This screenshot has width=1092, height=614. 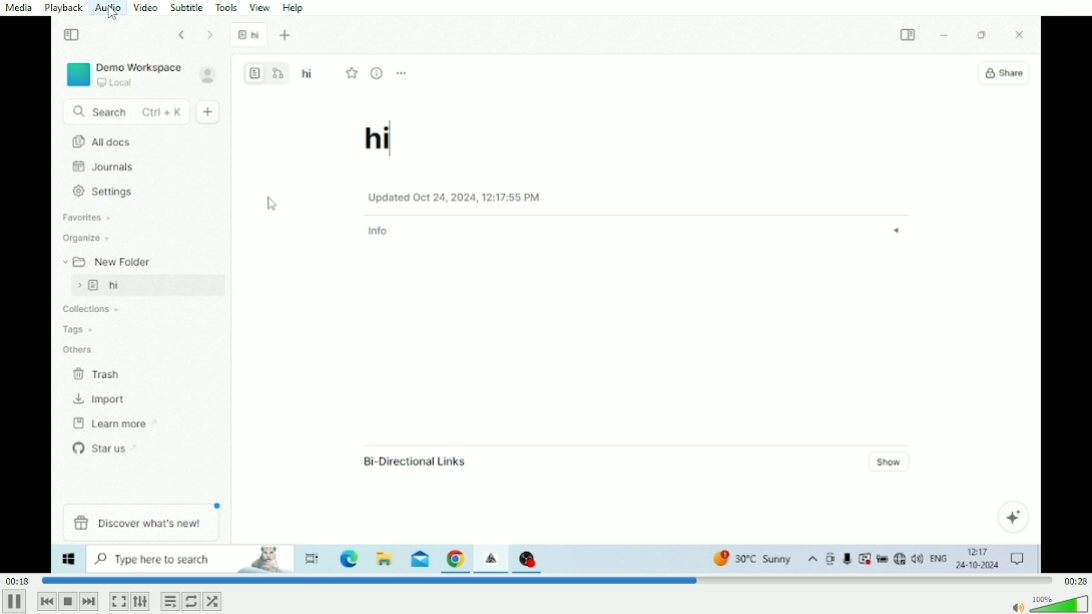 What do you see at coordinates (227, 7) in the screenshot?
I see `Tools` at bounding box center [227, 7].